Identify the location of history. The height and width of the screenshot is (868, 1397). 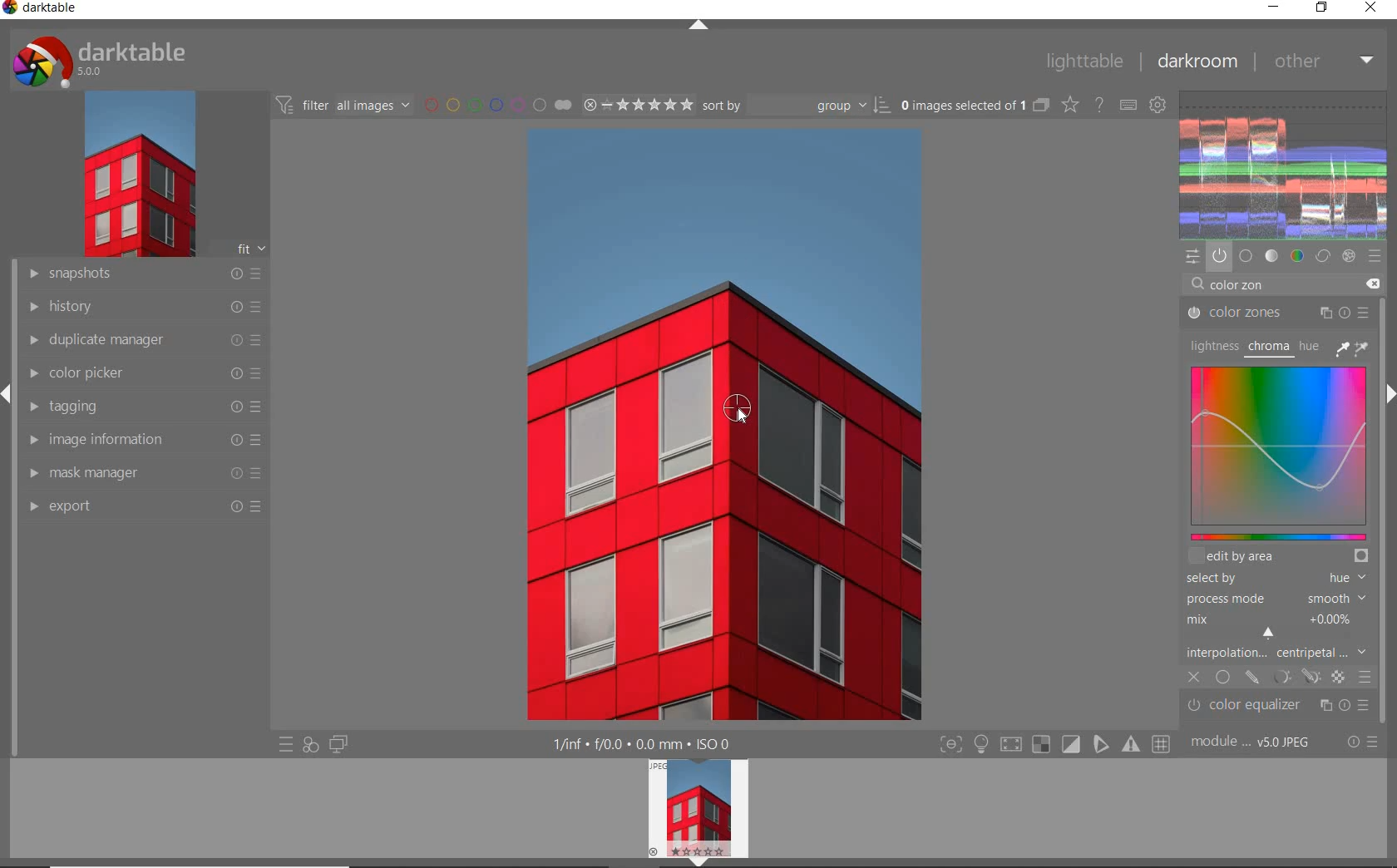
(141, 308).